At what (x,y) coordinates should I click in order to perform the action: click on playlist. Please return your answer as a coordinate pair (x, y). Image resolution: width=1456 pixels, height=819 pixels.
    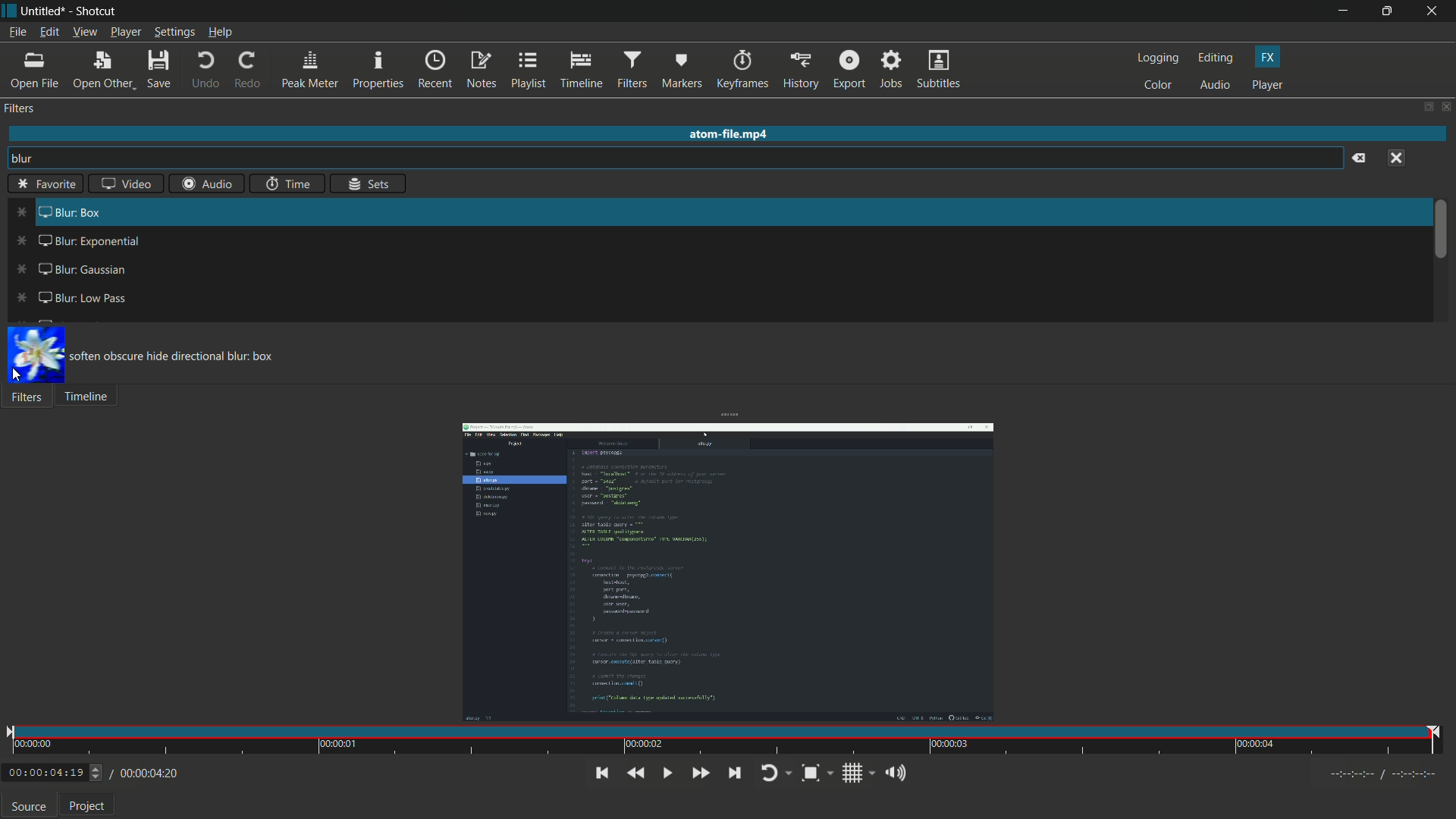
    Looking at the image, I should click on (527, 69).